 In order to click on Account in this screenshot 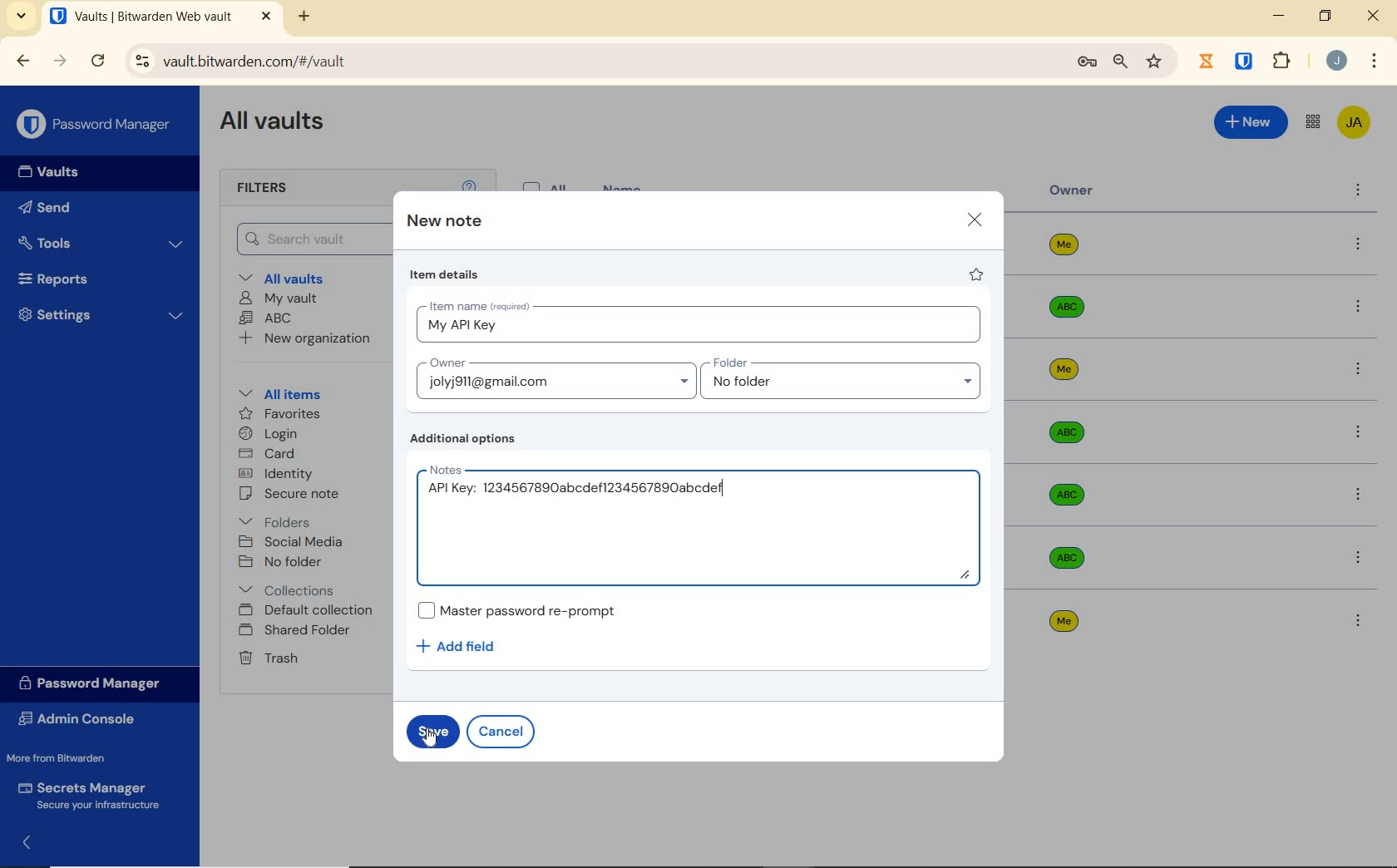, I will do `click(1337, 62)`.